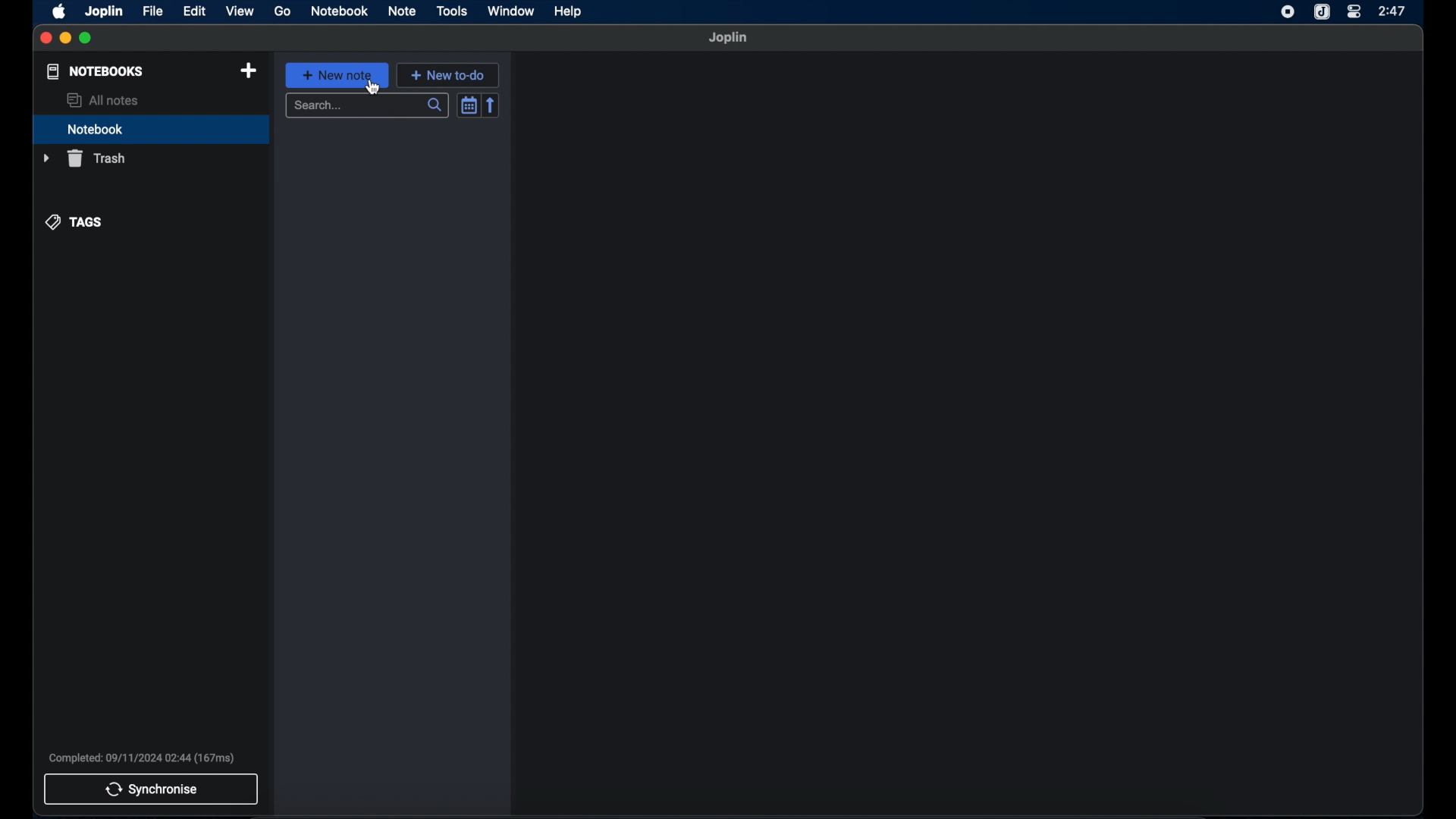  What do you see at coordinates (152, 11) in the screenshot?
I see `file` at bounding box center [152, 11].